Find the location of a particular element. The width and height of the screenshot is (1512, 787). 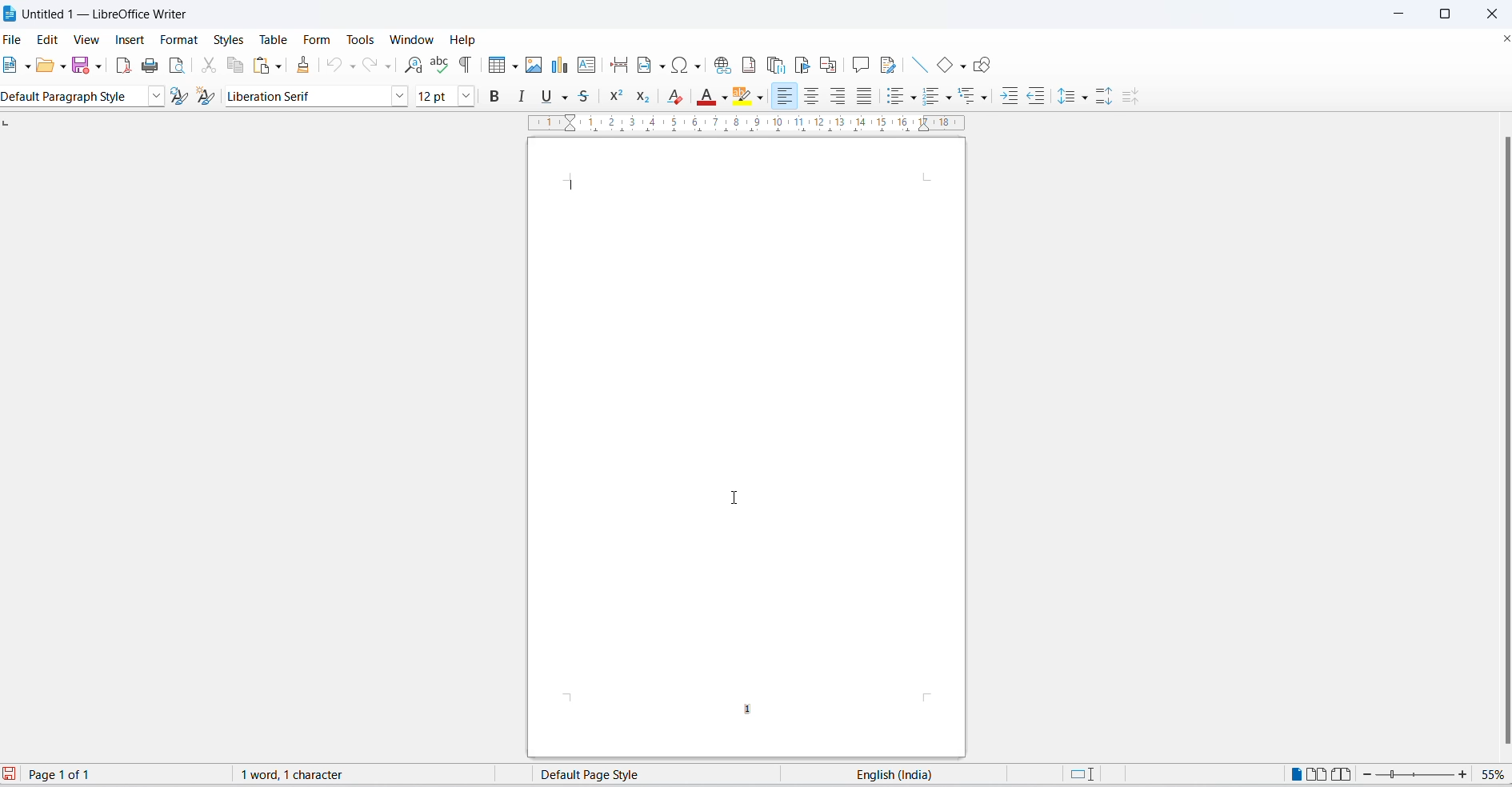

Untitled 1 - Libre Office Writer is located at coordinates (98, 13).